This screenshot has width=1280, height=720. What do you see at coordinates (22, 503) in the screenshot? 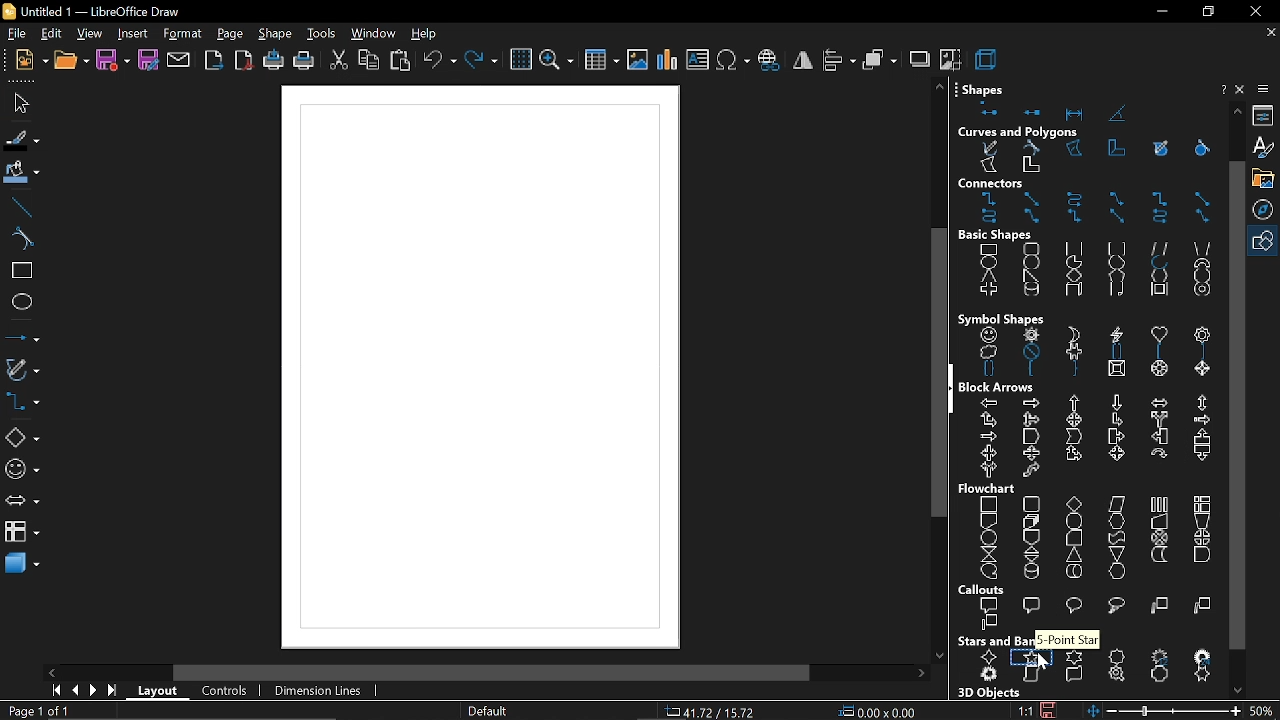
I see `arrows` at bounding box center [22, 503].